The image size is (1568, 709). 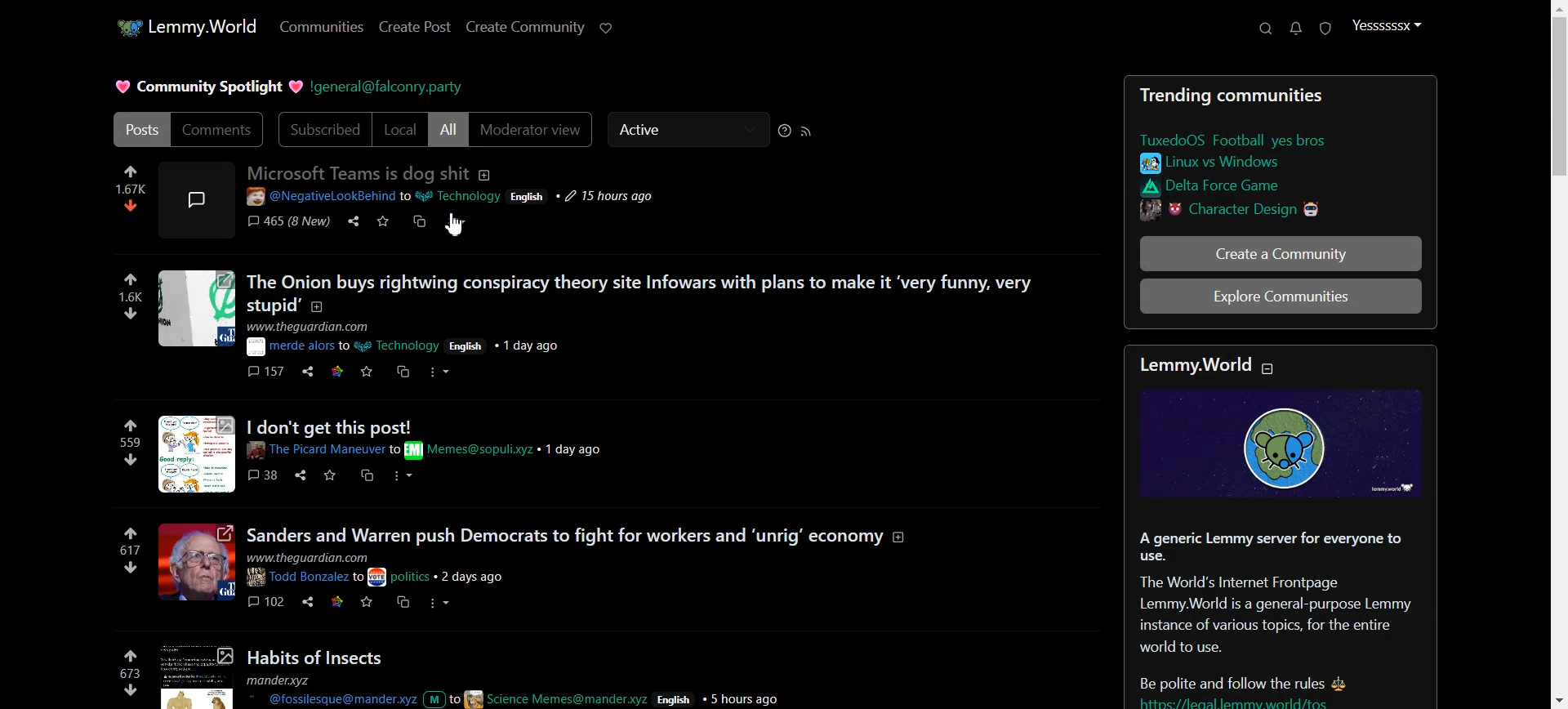 What do you see at coordinates (1296, 29) in the screenshot?
I see `Unread message` at bounding box center [1296, 29].